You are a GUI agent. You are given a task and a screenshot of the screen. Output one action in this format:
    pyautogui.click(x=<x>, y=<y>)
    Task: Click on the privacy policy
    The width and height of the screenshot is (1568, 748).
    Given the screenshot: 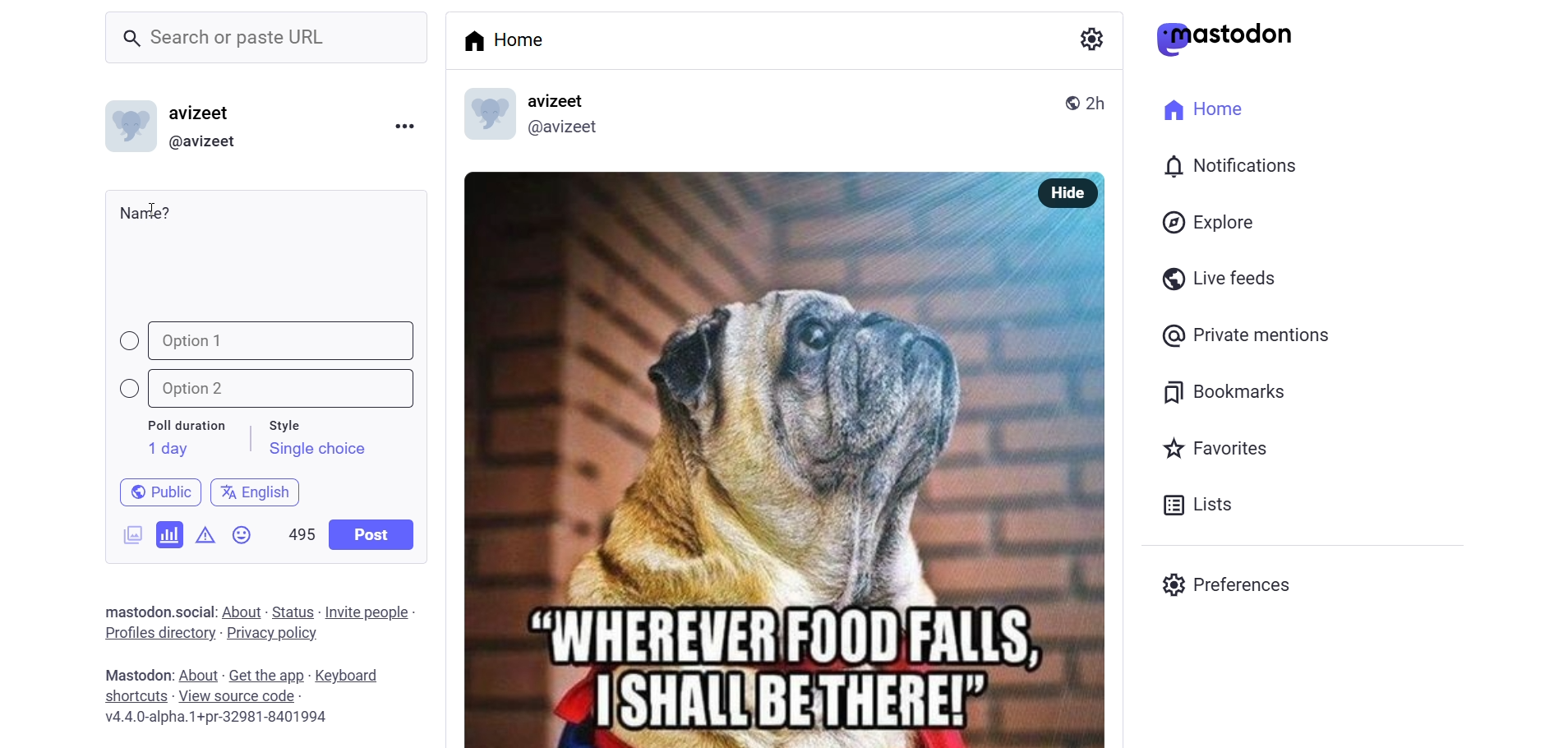 What is the action you would take?
    pyautogui.click(x=272, y=635)
    